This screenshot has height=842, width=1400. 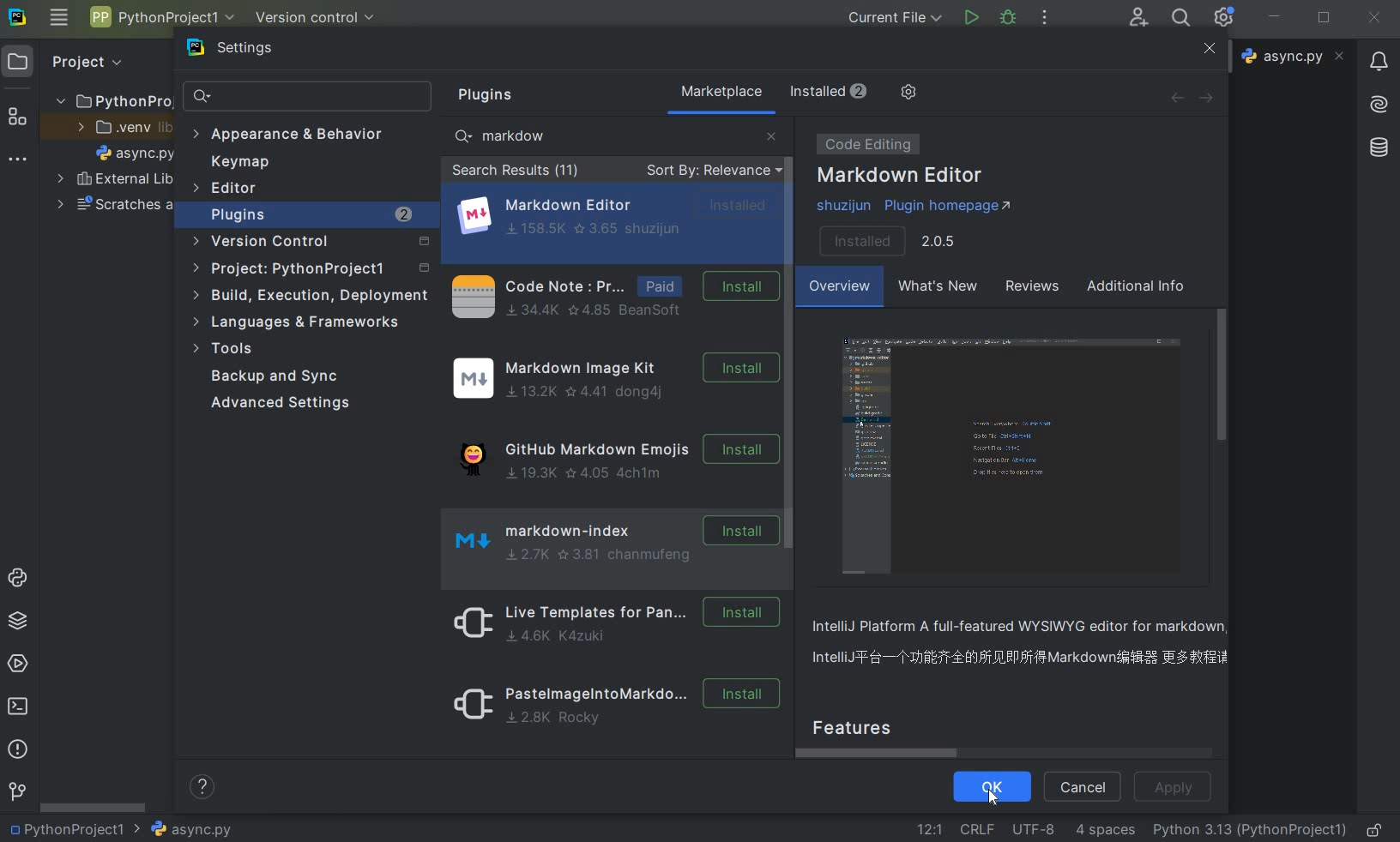 I want to click on editor view, so click(x=1016, y=457).